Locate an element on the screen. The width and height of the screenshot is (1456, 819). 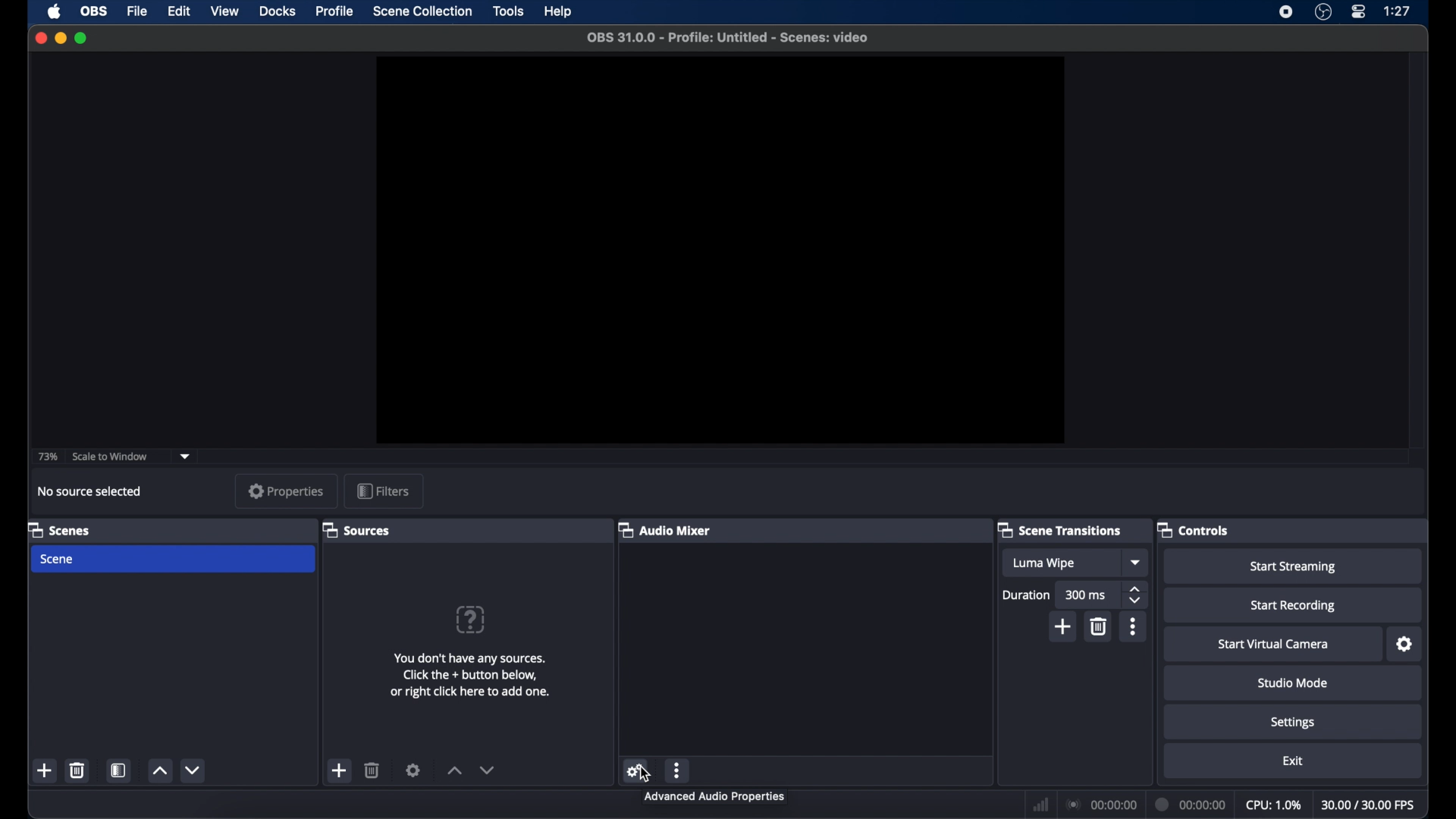
scene collection is located at coordinates (423, 11).